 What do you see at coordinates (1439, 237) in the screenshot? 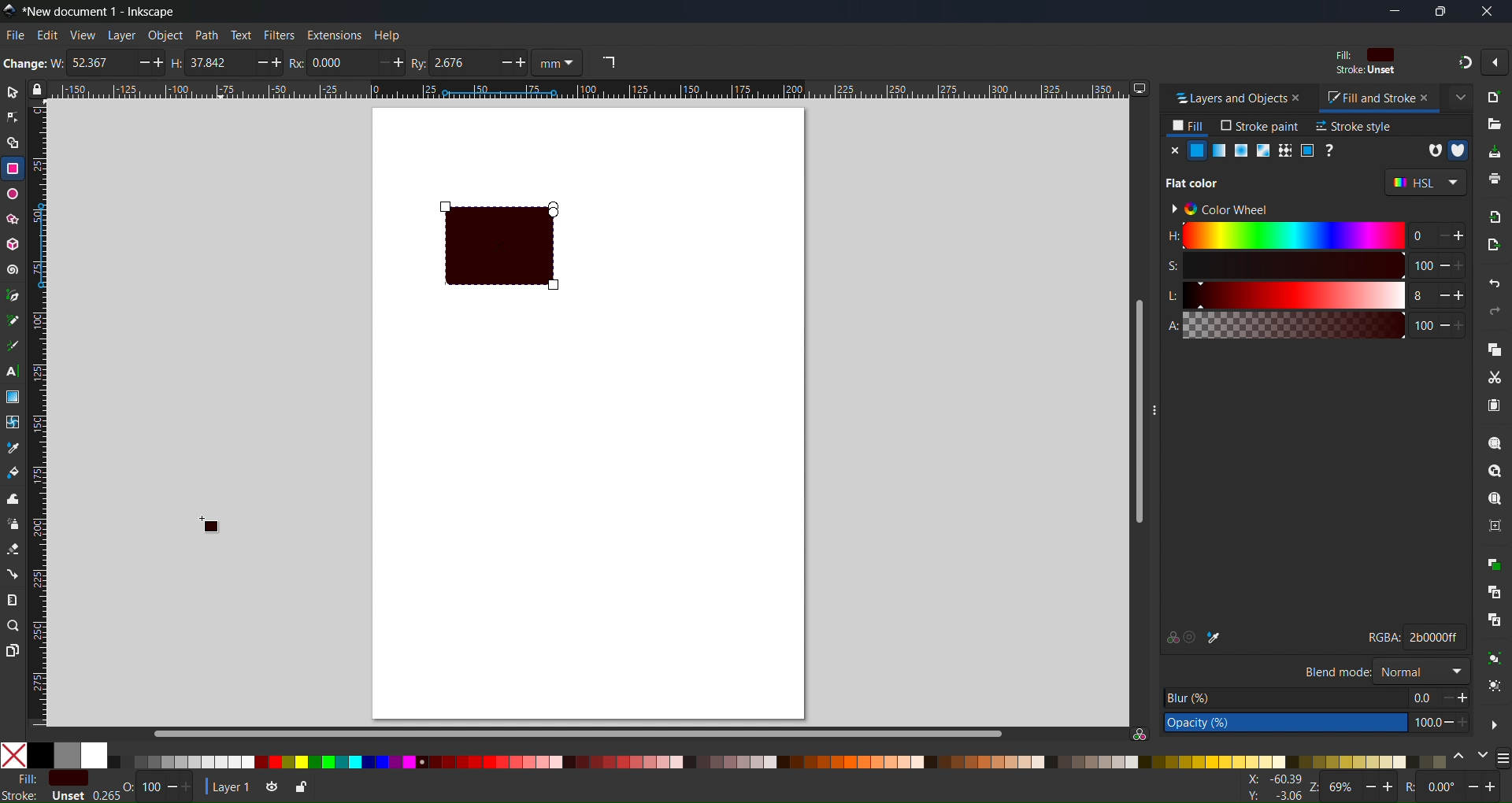
I see `increase hue` at bounding box center [1439, 237].